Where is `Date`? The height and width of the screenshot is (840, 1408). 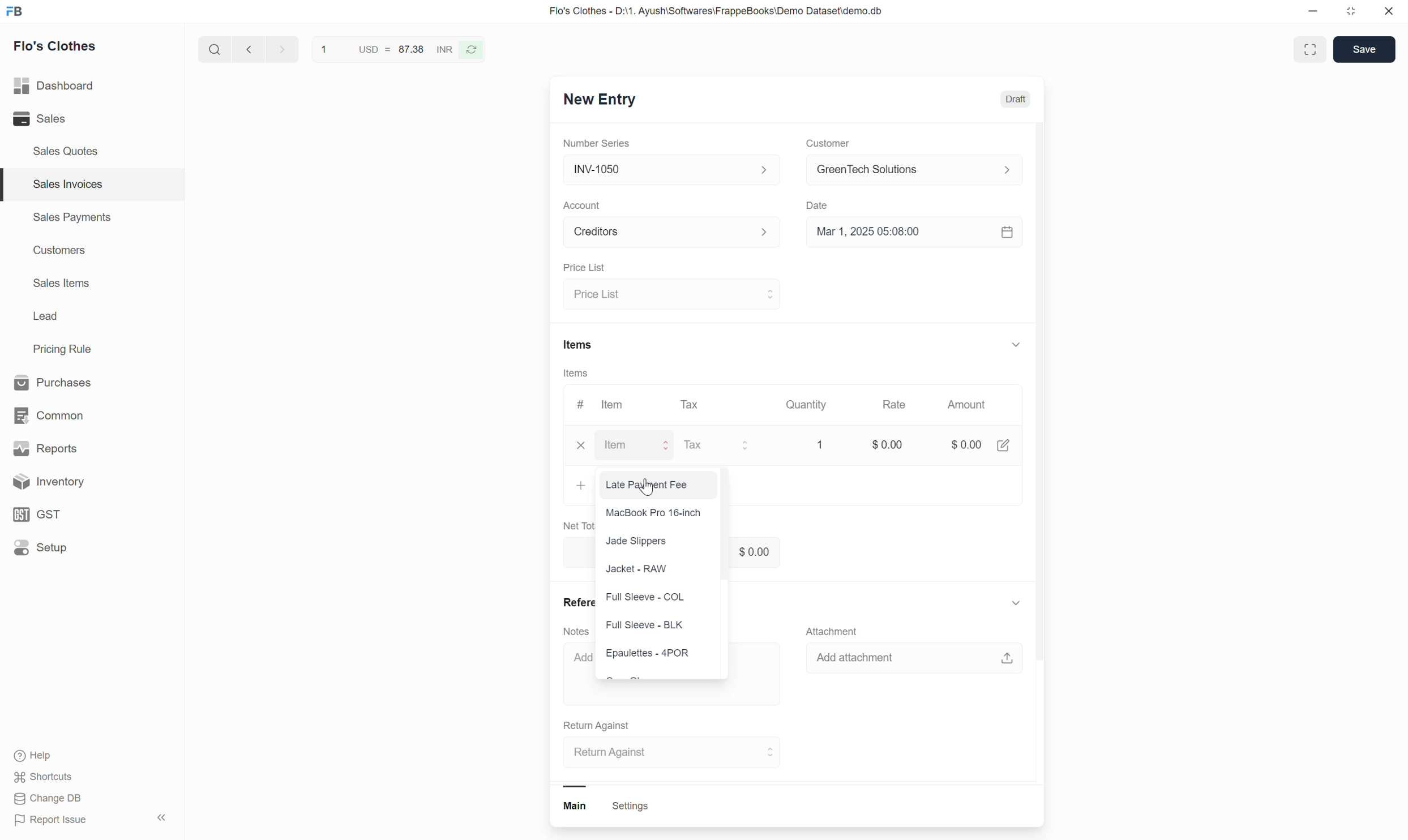 Date is located at coordinates (820, 207).